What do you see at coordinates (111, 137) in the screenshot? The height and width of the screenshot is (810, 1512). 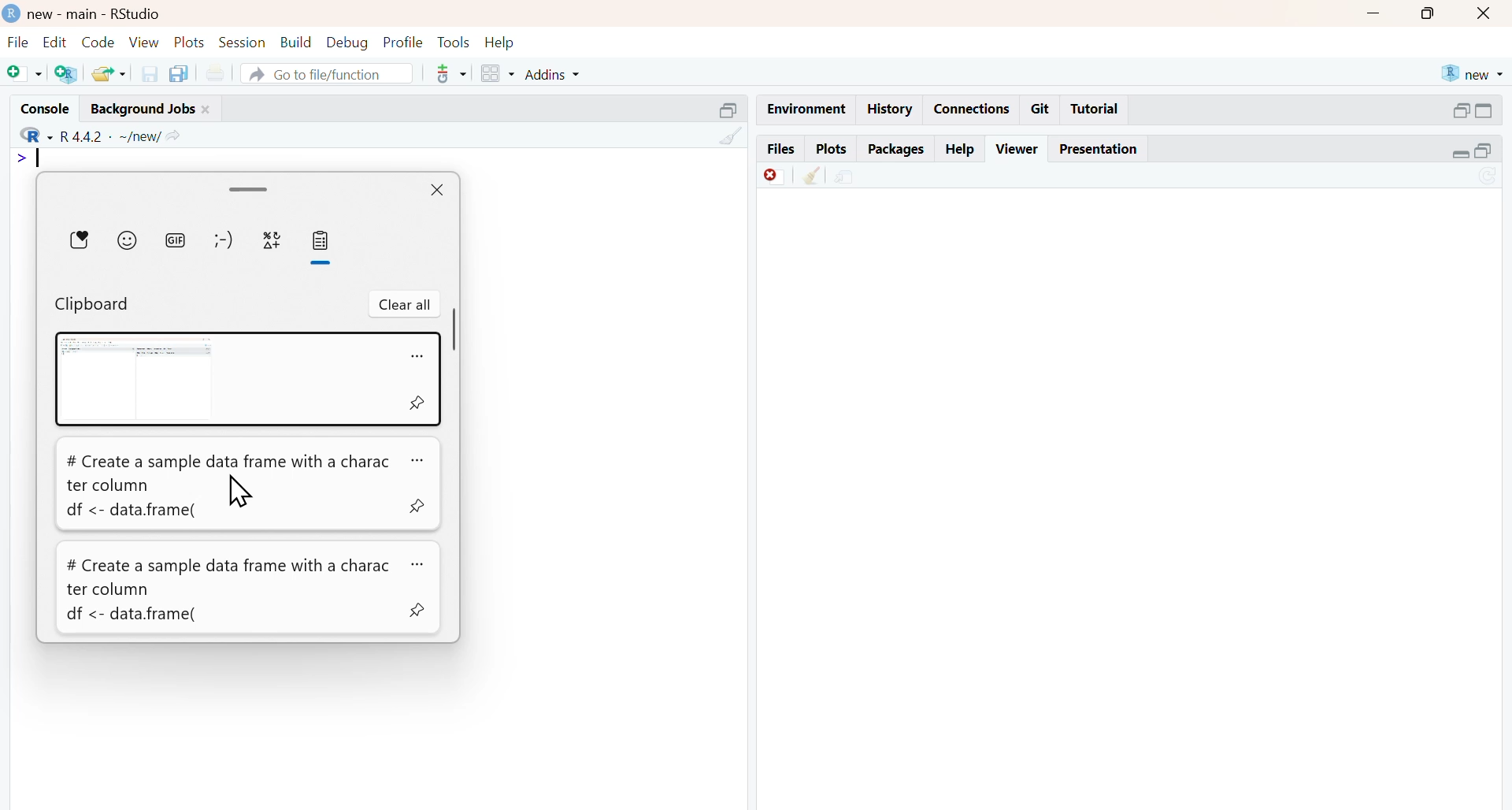 I see `R 4.4.2 ~/new/` at bounding box center [111, 137].